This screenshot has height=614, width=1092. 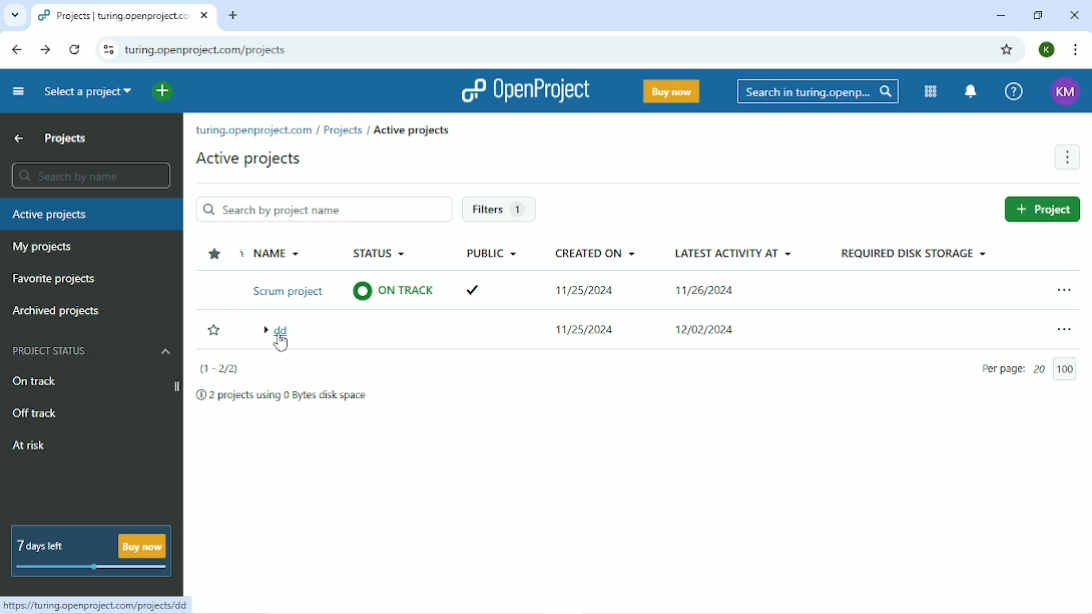 I want to click on Close, so click(x=1074, y=15).